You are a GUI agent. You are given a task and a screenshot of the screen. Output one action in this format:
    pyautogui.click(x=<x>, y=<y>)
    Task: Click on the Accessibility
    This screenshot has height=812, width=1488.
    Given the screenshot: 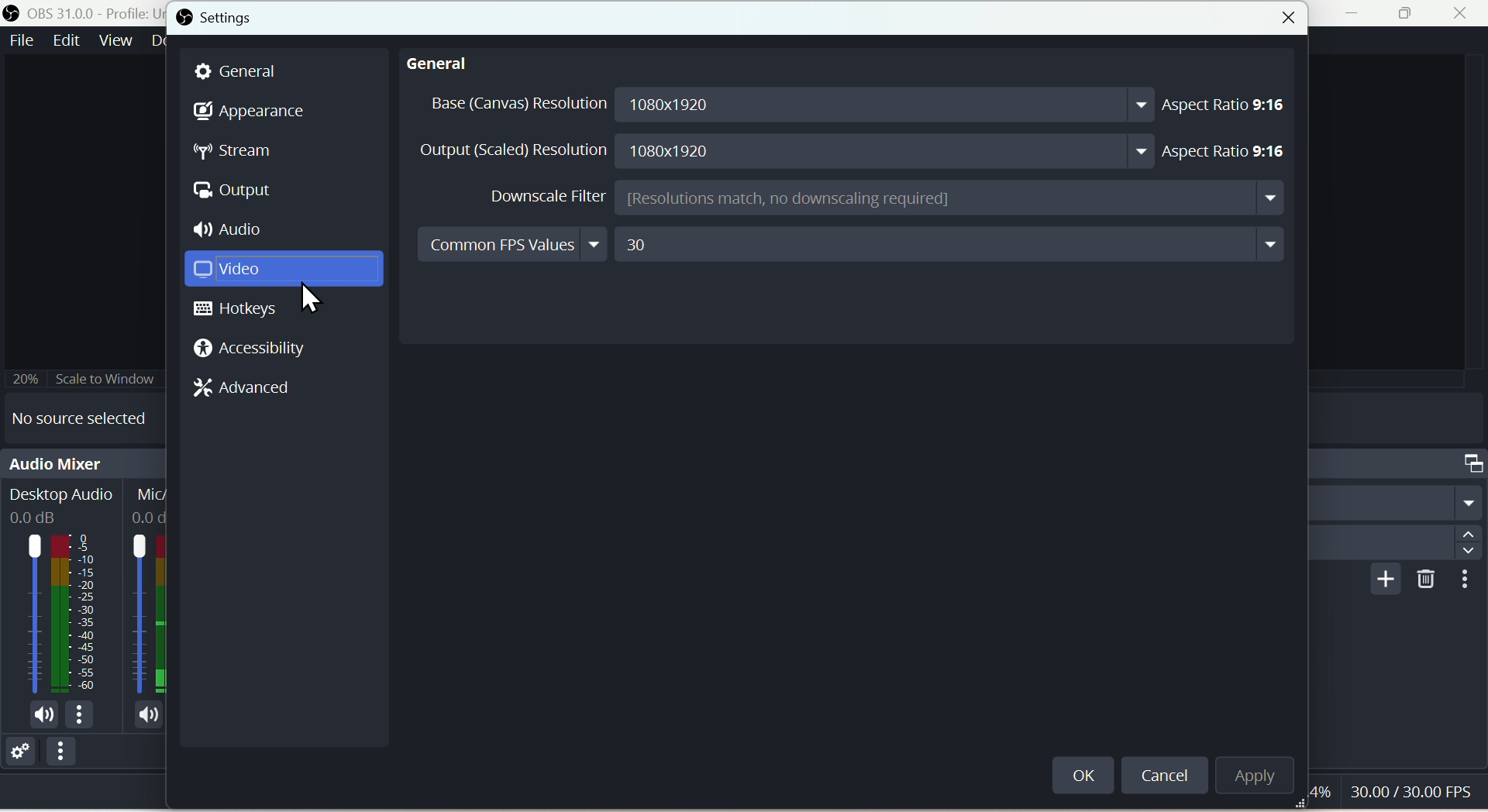 What is the action you would take?
    pyautogui.click(x=249, y=348)
    